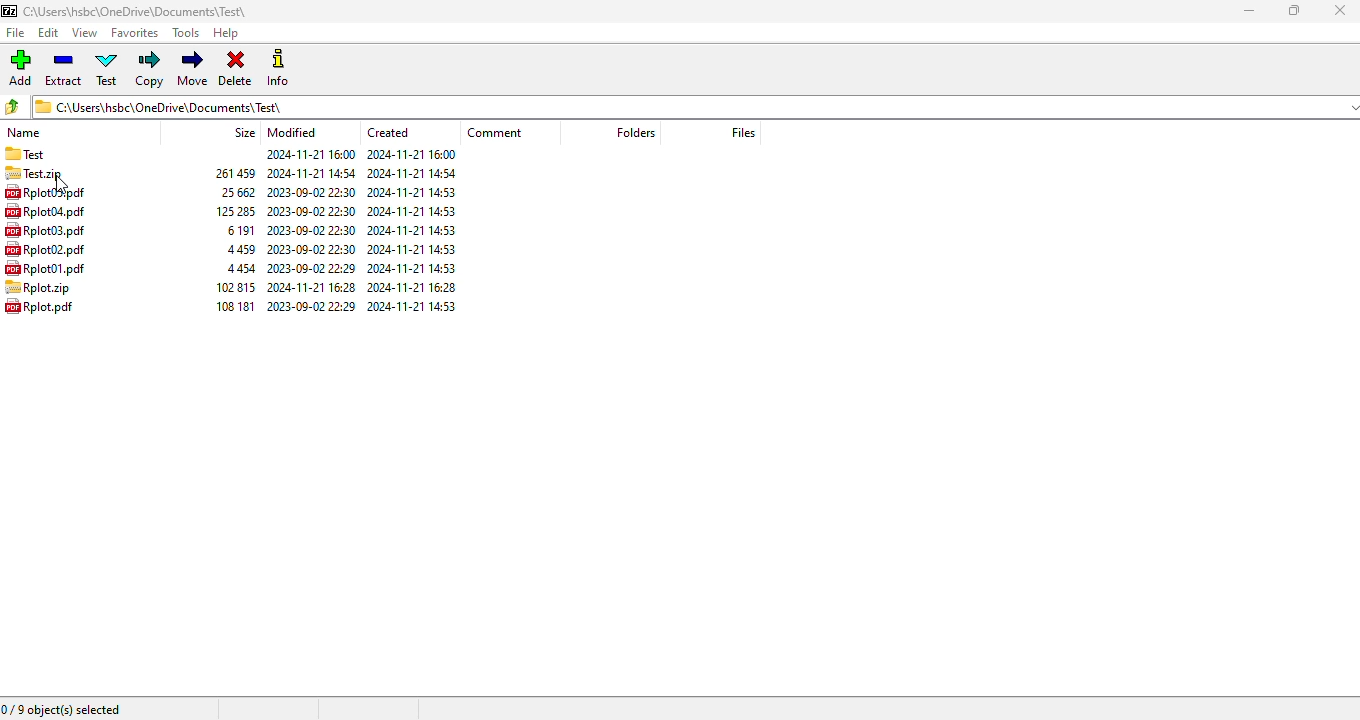 The width and height of the screenshot is (1360, 720). I want to click on archive, so click(35, 173).